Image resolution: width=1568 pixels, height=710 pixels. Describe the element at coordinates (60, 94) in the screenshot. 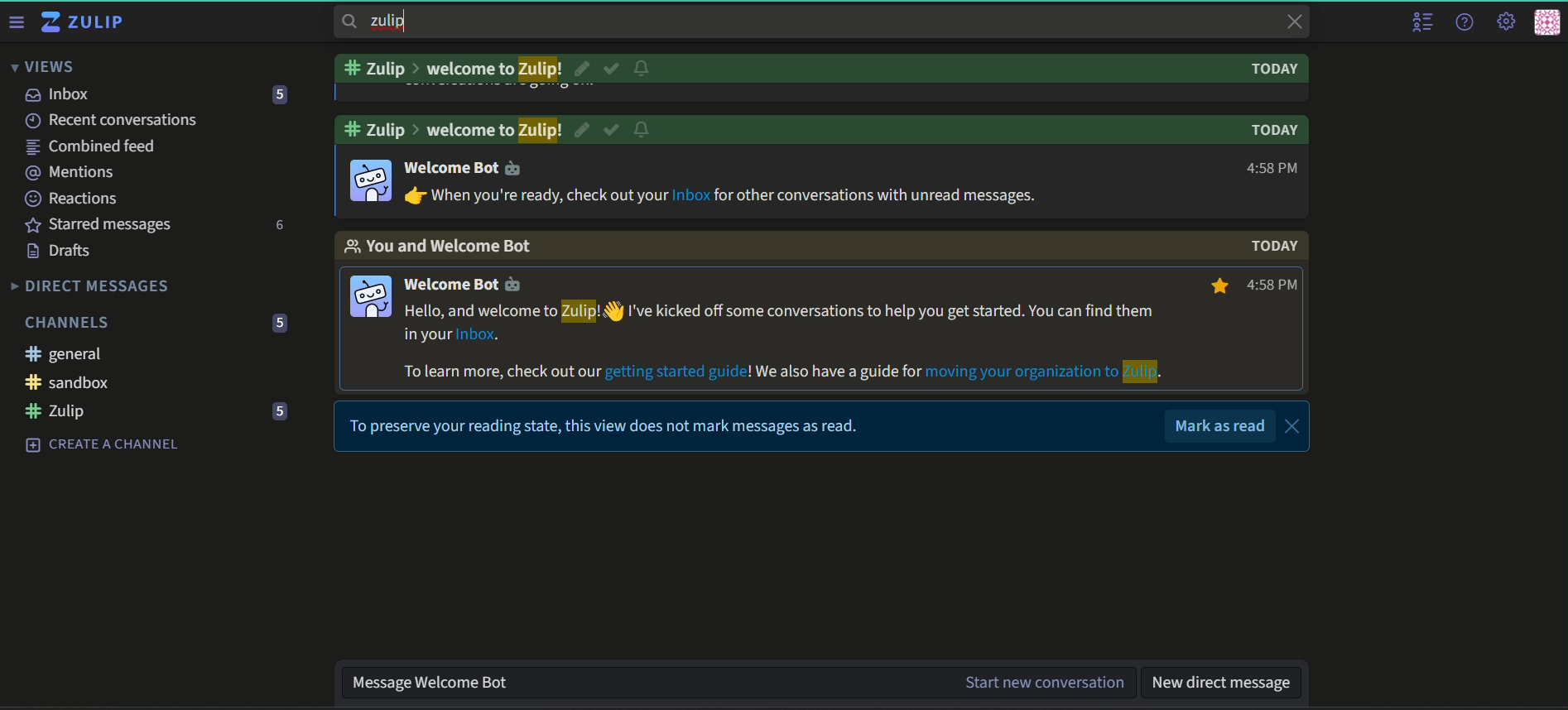

I see `inbox` at that location.